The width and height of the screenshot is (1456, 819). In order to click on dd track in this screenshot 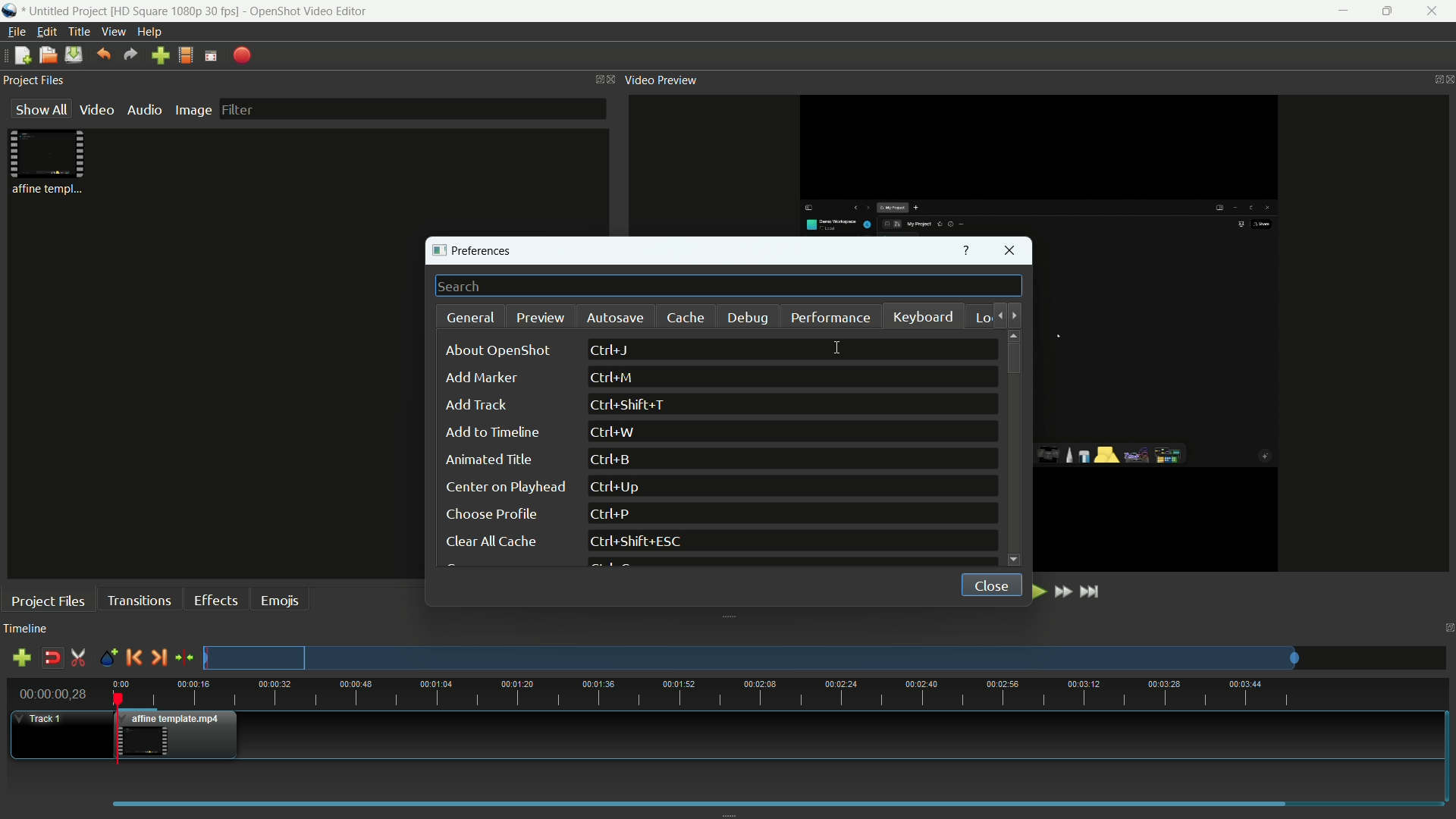, I will do `click(475, 405)`.